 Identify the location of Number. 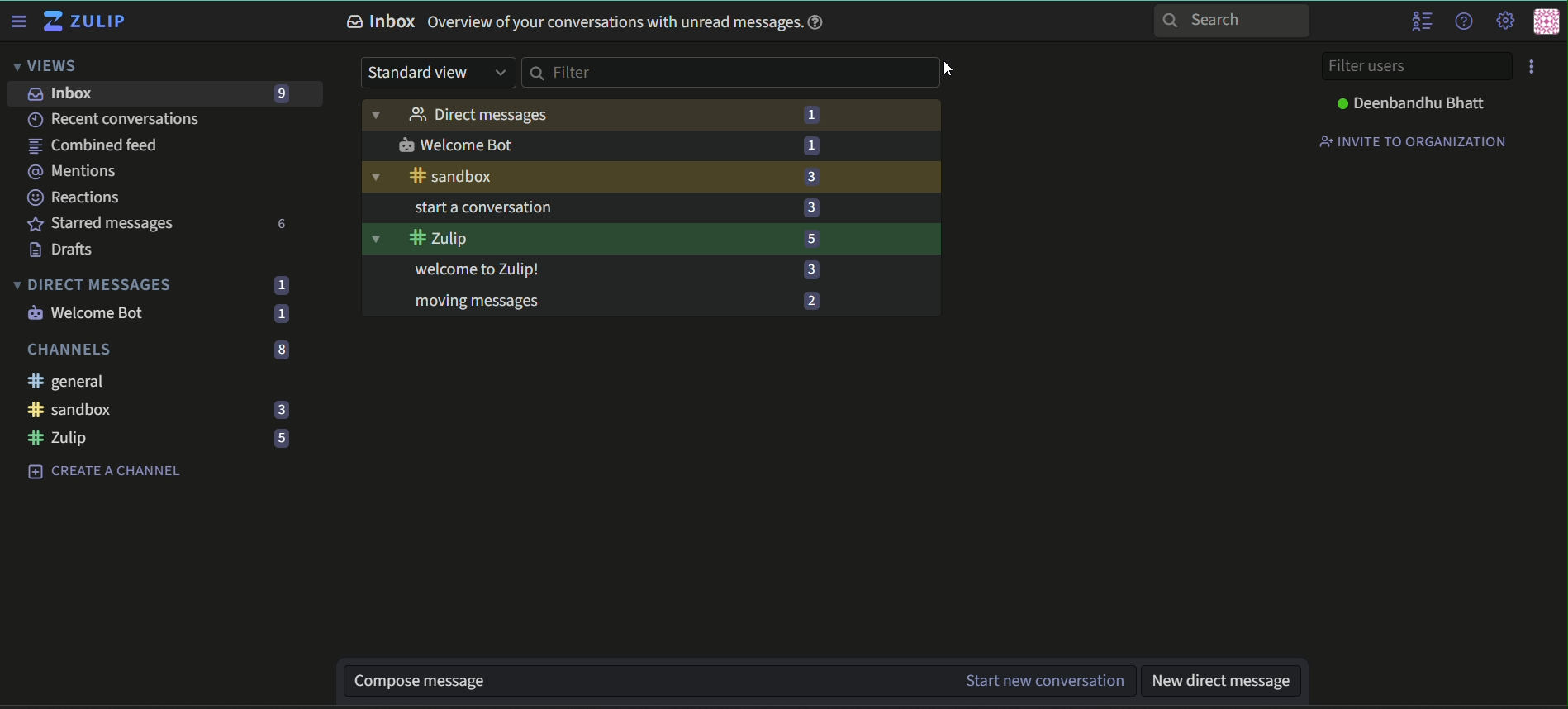
(812, 147).